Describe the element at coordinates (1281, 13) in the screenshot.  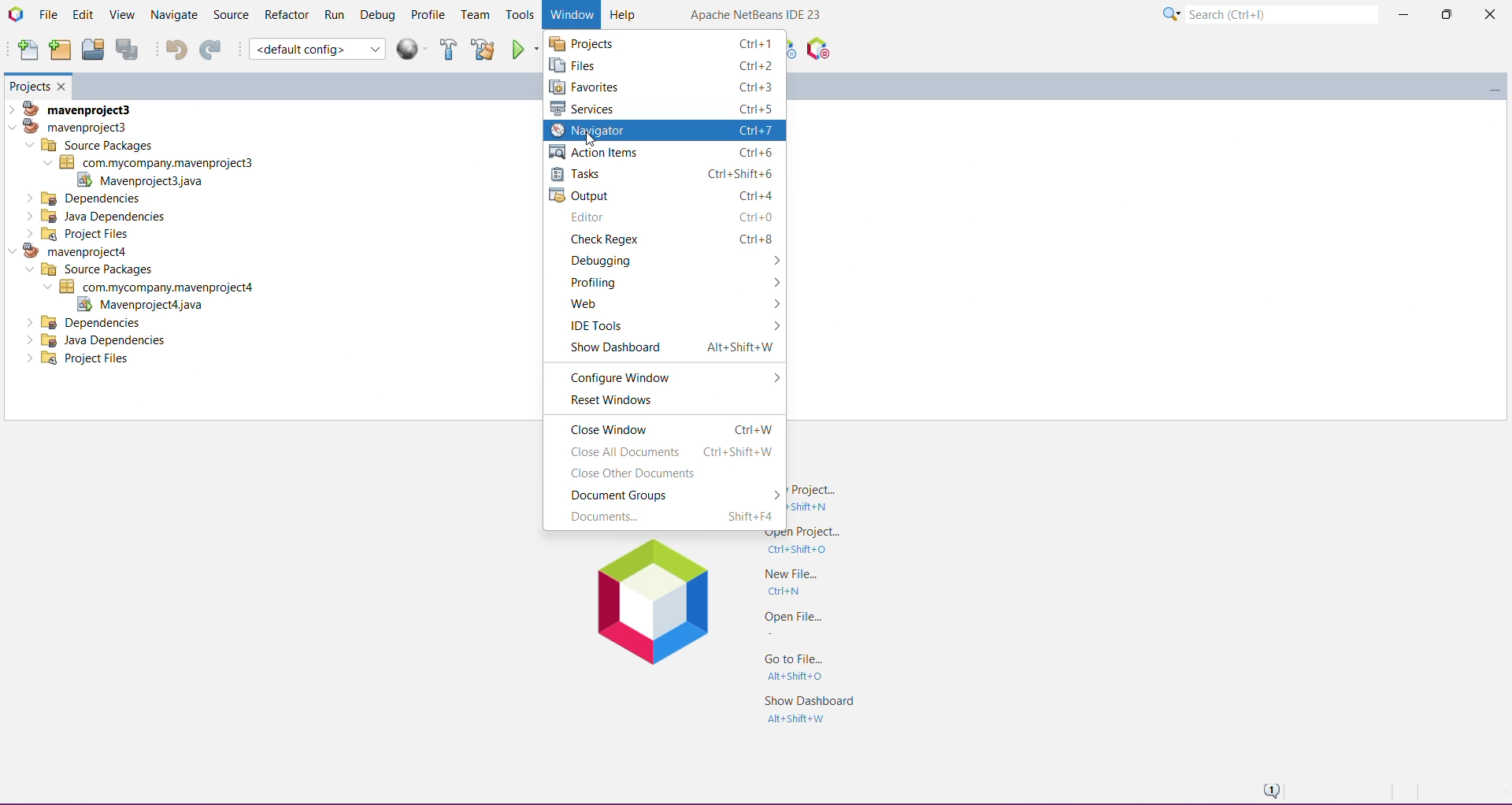
I see `Search` at that location.